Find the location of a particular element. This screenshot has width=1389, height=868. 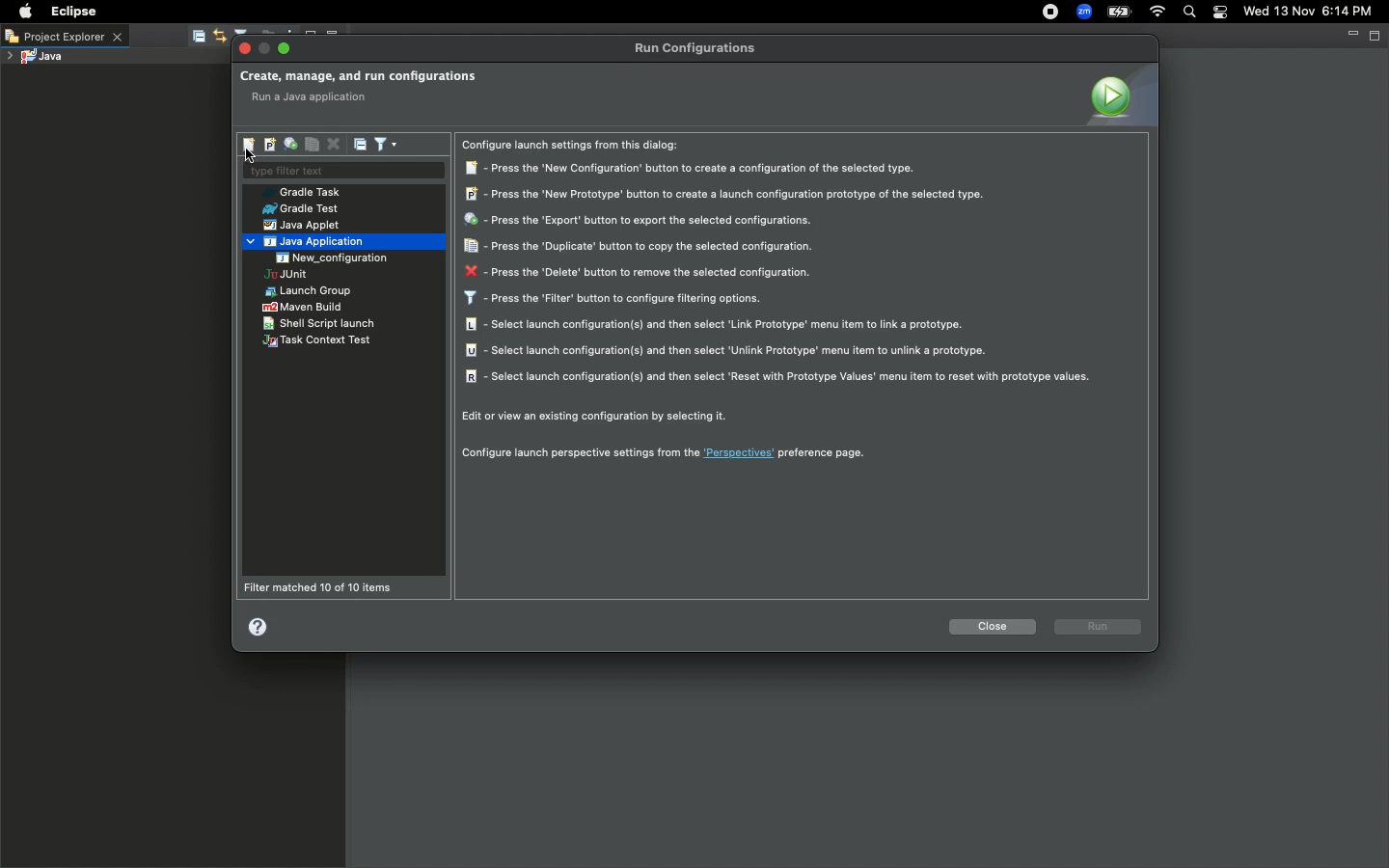

Collapse all is located at coordinates (361, 144).